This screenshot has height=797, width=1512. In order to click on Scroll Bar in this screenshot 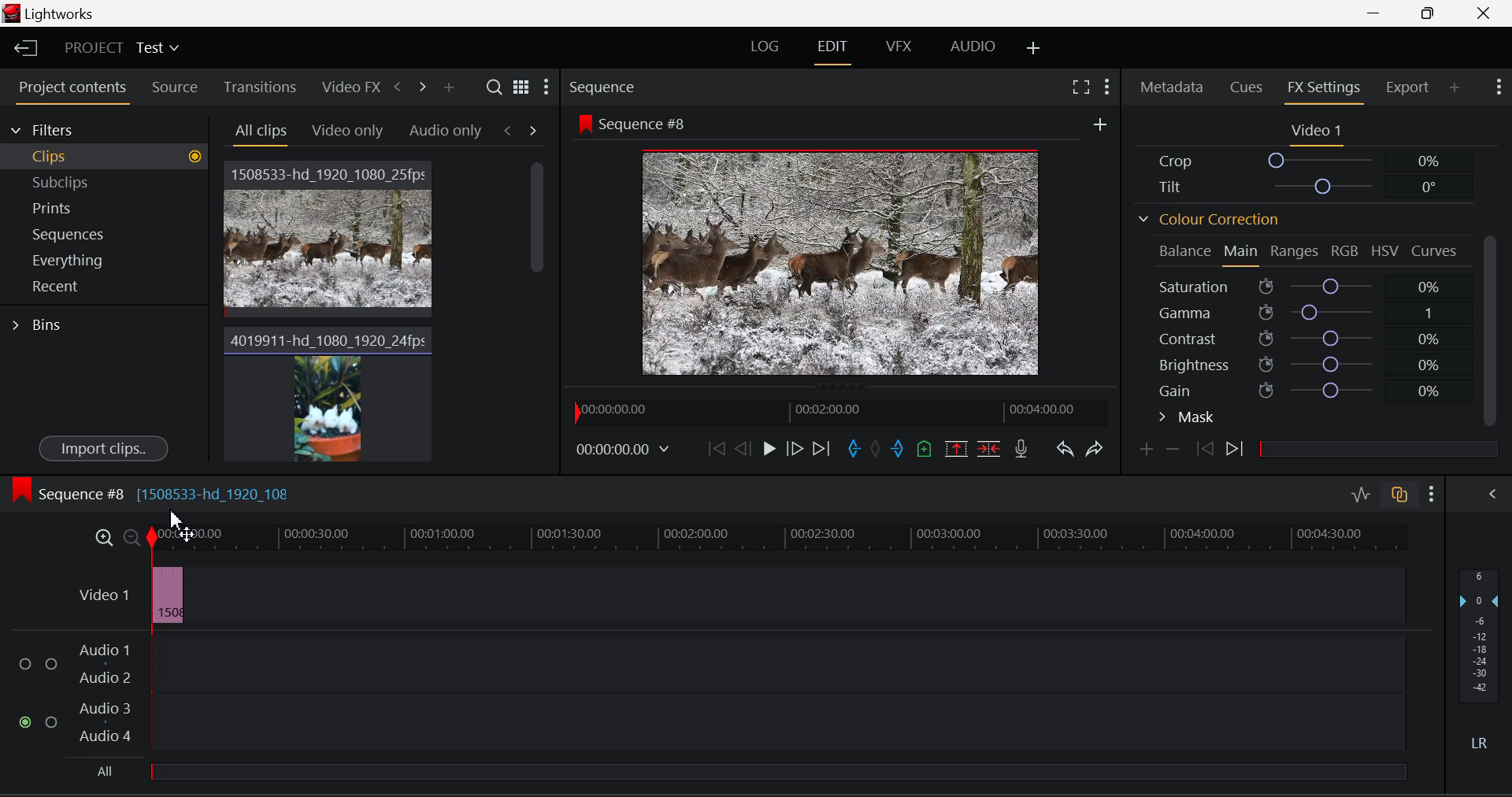, I will do `click(1489, 332)`.